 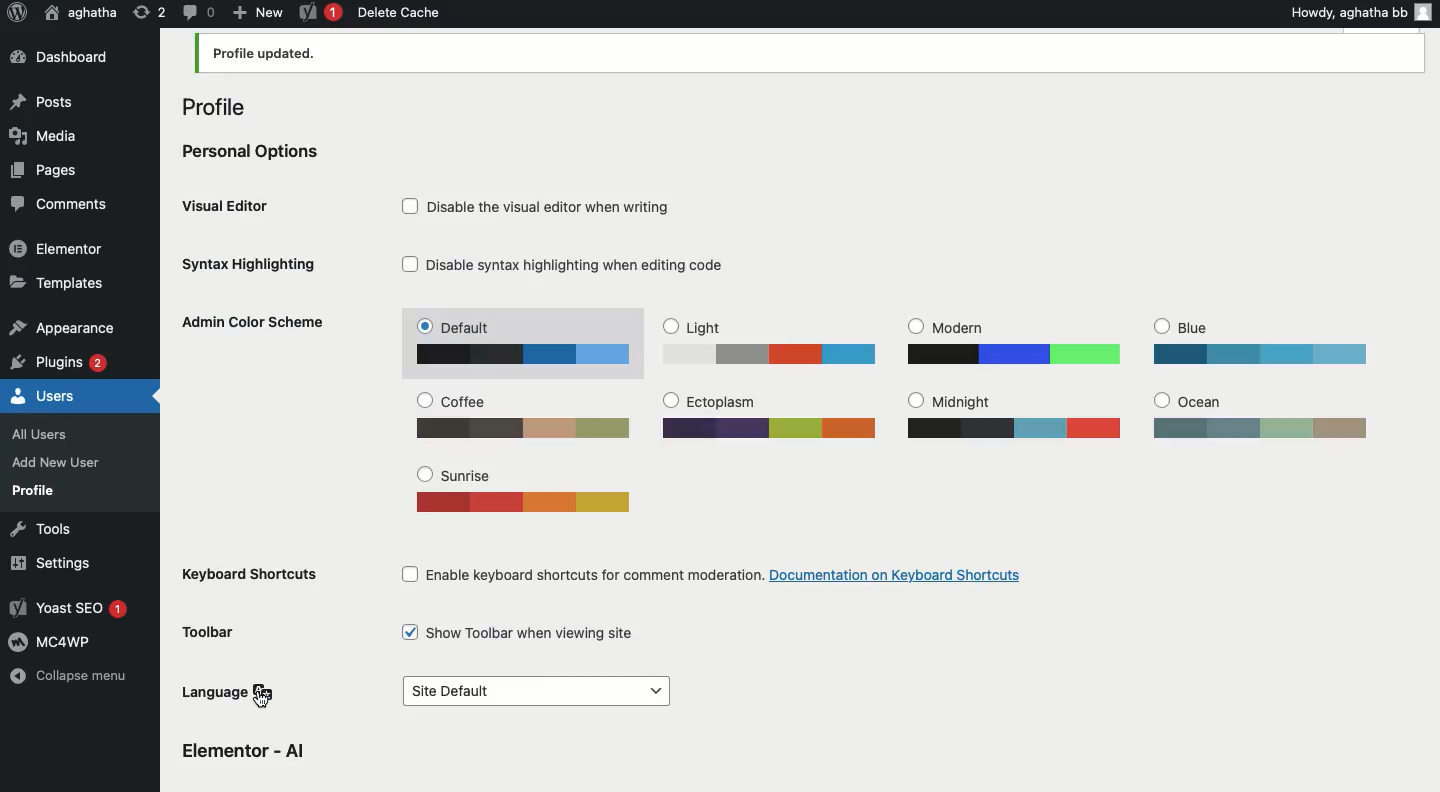 What do you see at coordinates (534, 692) in the screenshot?
I see `Site default` at bounding box center [534, 692].